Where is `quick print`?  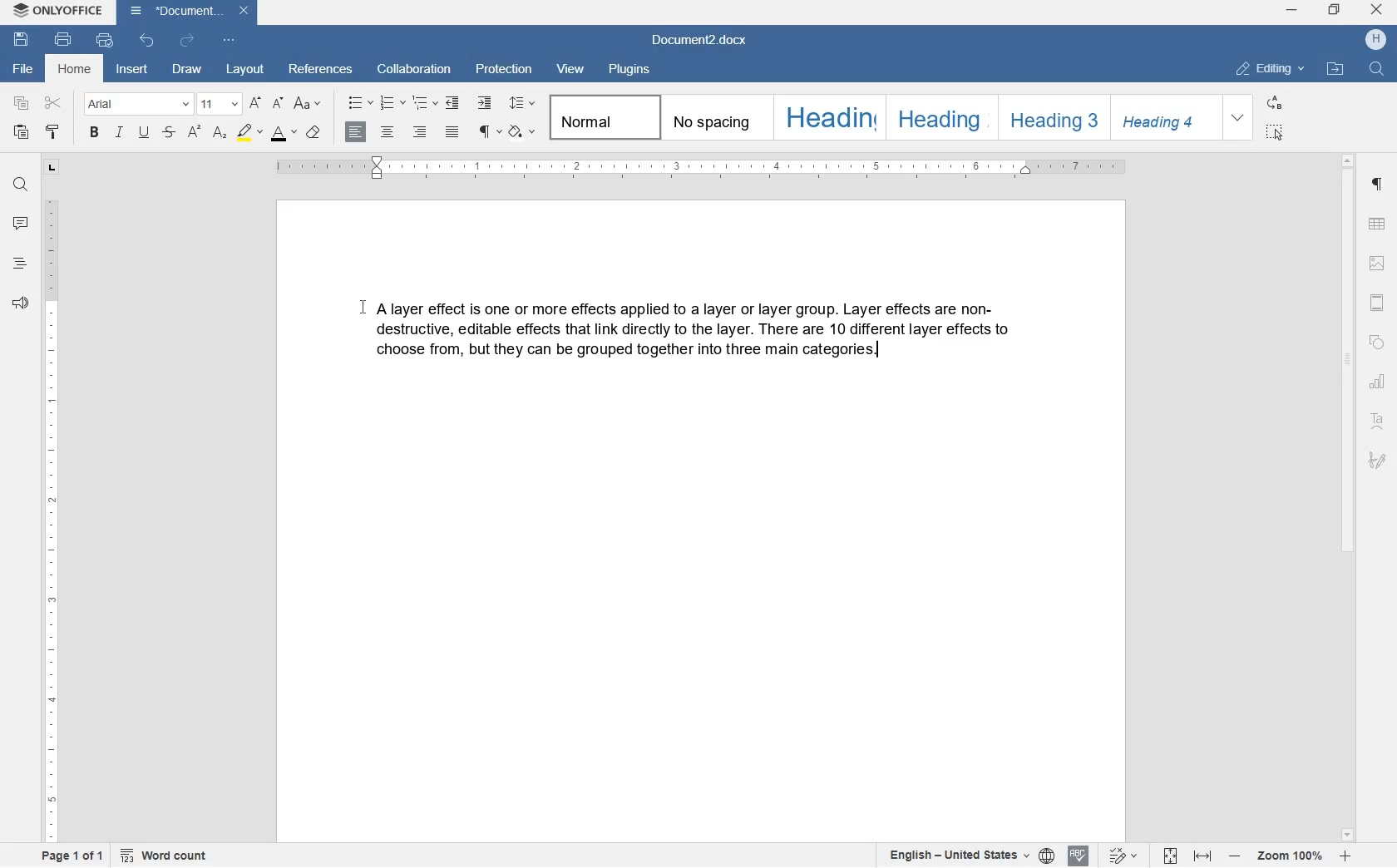
quick print is located at coordinates (104, 43).